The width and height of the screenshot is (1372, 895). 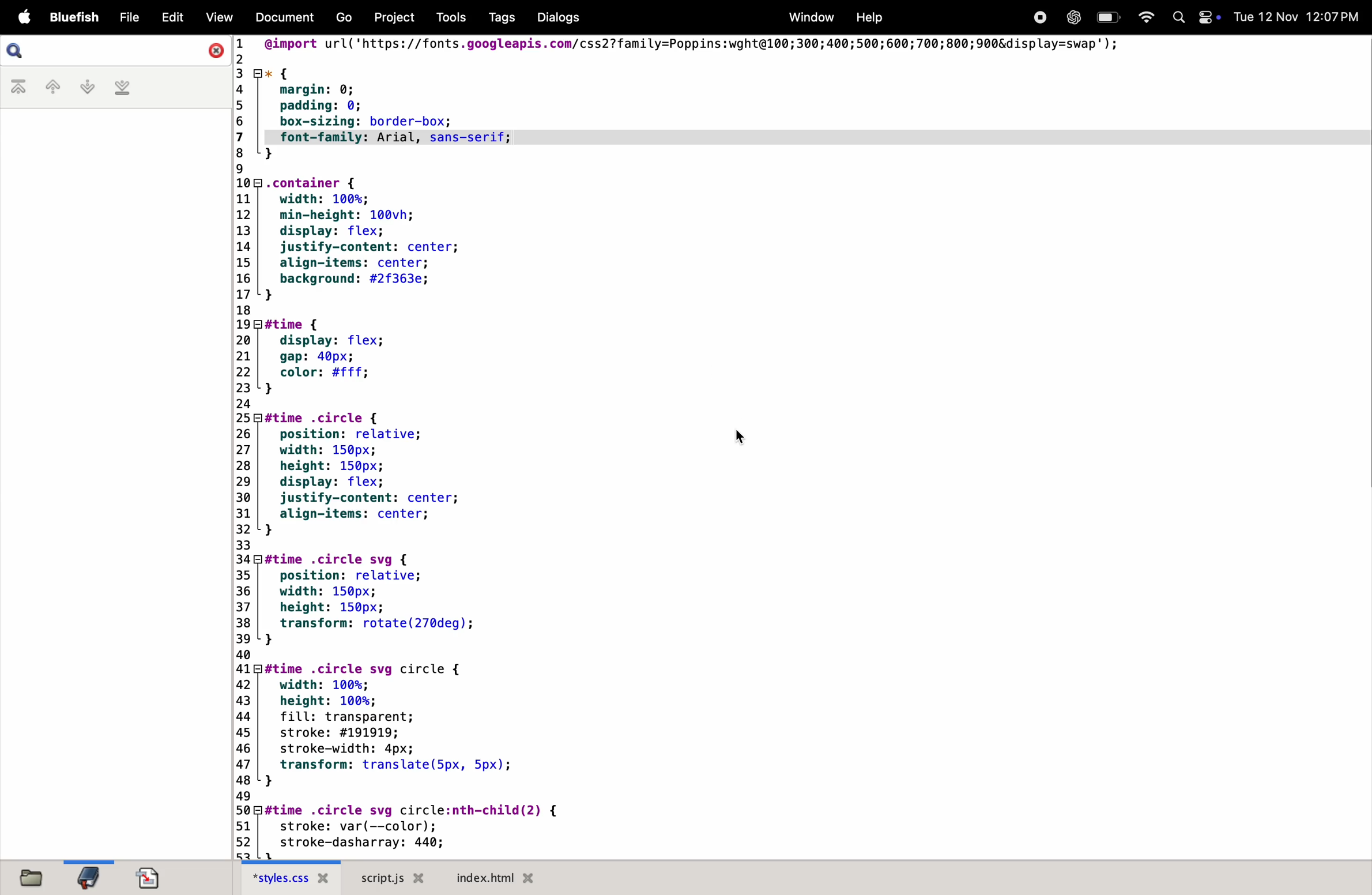 I want to click on search, so click(x=20, y=51).